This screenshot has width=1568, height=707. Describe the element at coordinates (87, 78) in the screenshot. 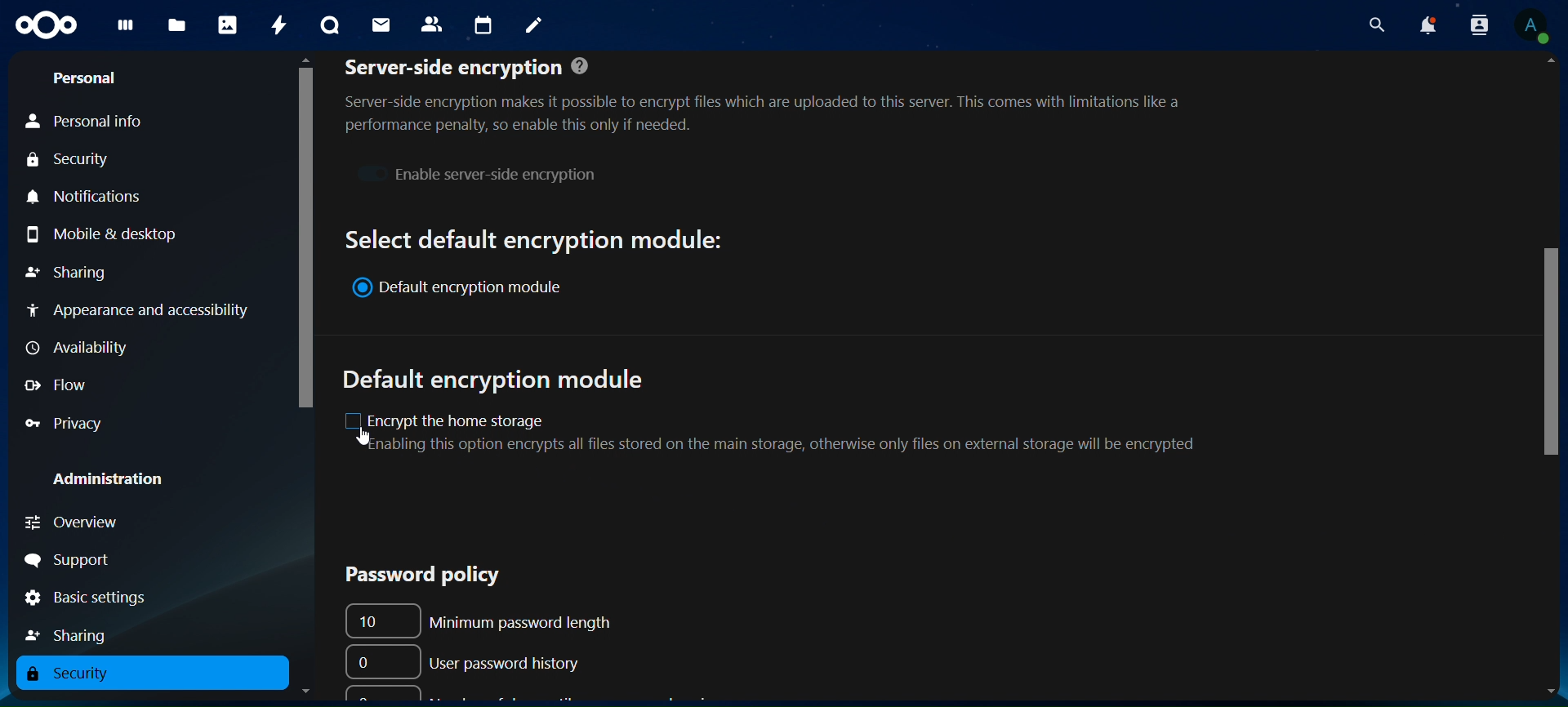

I see `personal` at that location.